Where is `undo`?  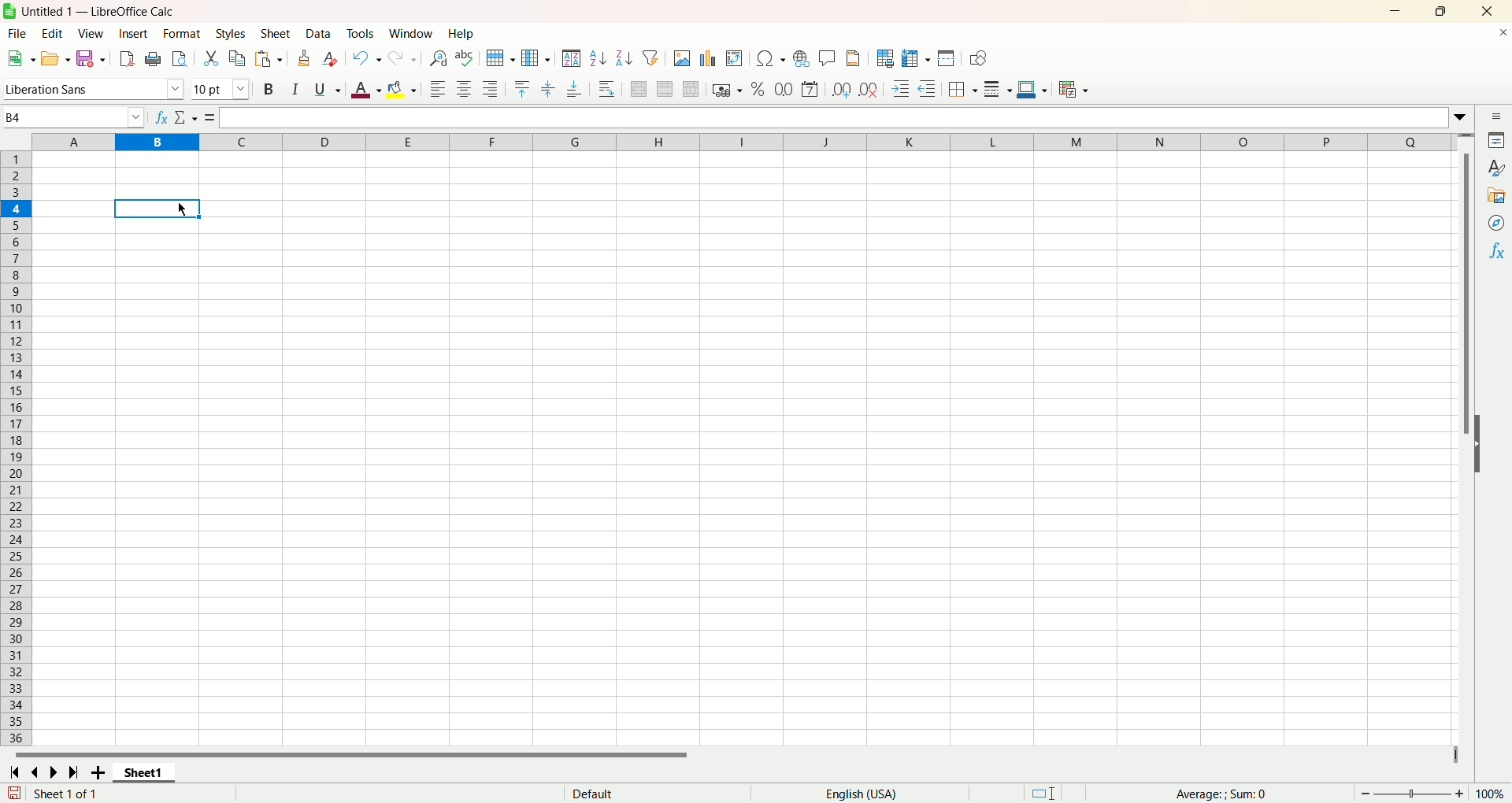
undo is located at coordinates (368, 58).